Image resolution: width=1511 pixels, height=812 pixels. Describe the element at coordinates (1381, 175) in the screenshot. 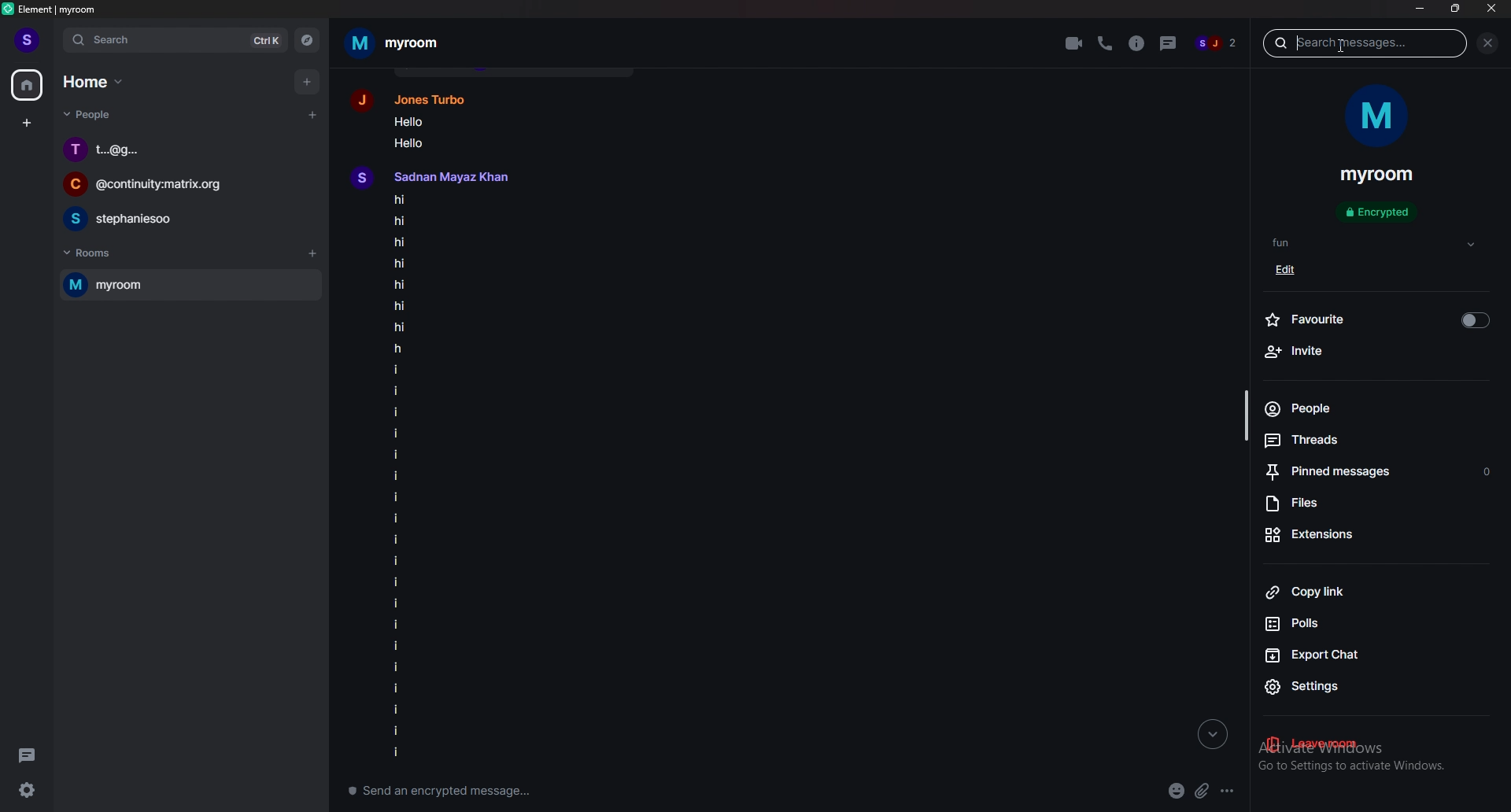

I see `room name` at that location.